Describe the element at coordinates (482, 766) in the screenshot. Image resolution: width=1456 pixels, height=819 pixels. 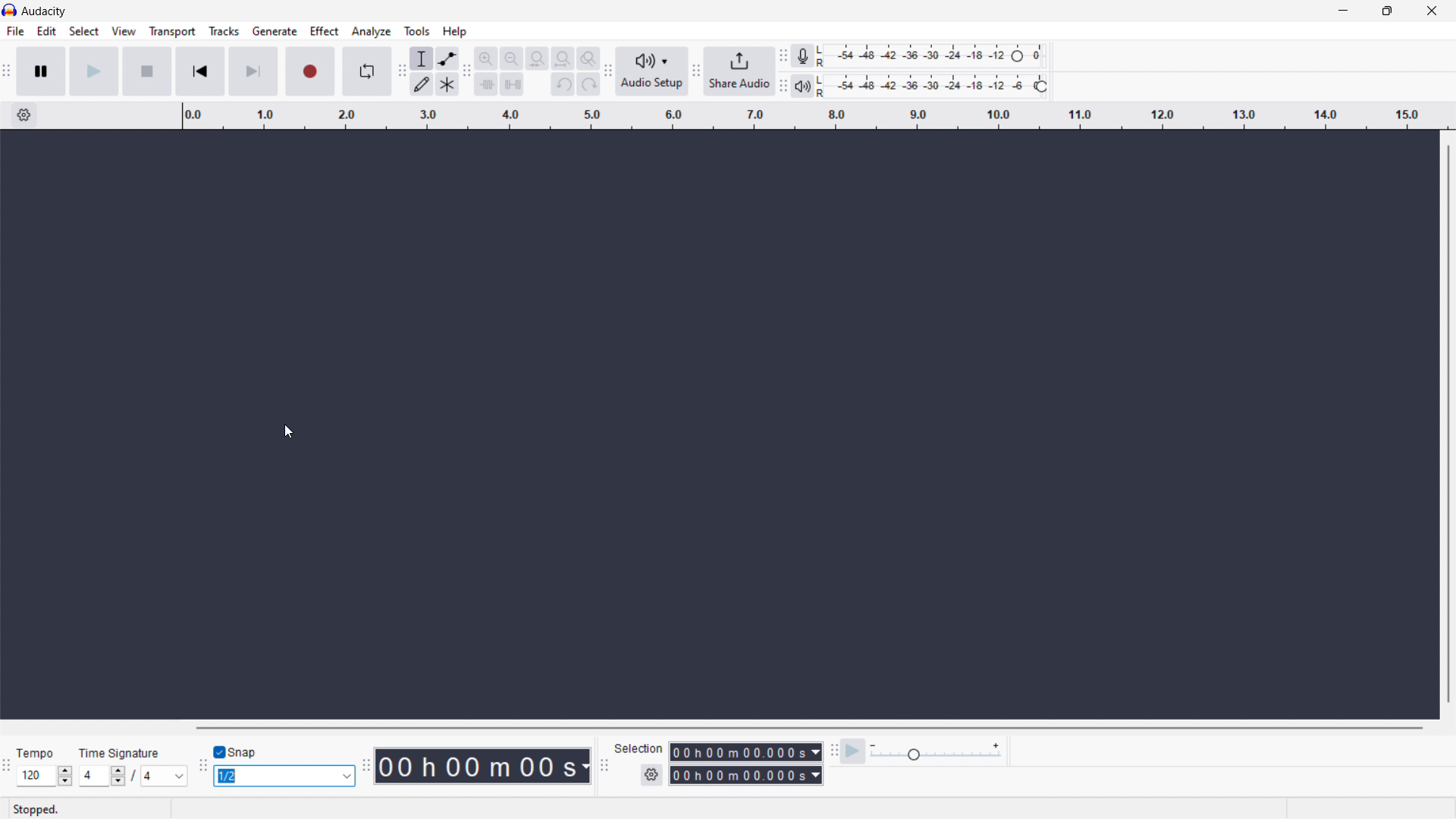
I see `time` at that location.